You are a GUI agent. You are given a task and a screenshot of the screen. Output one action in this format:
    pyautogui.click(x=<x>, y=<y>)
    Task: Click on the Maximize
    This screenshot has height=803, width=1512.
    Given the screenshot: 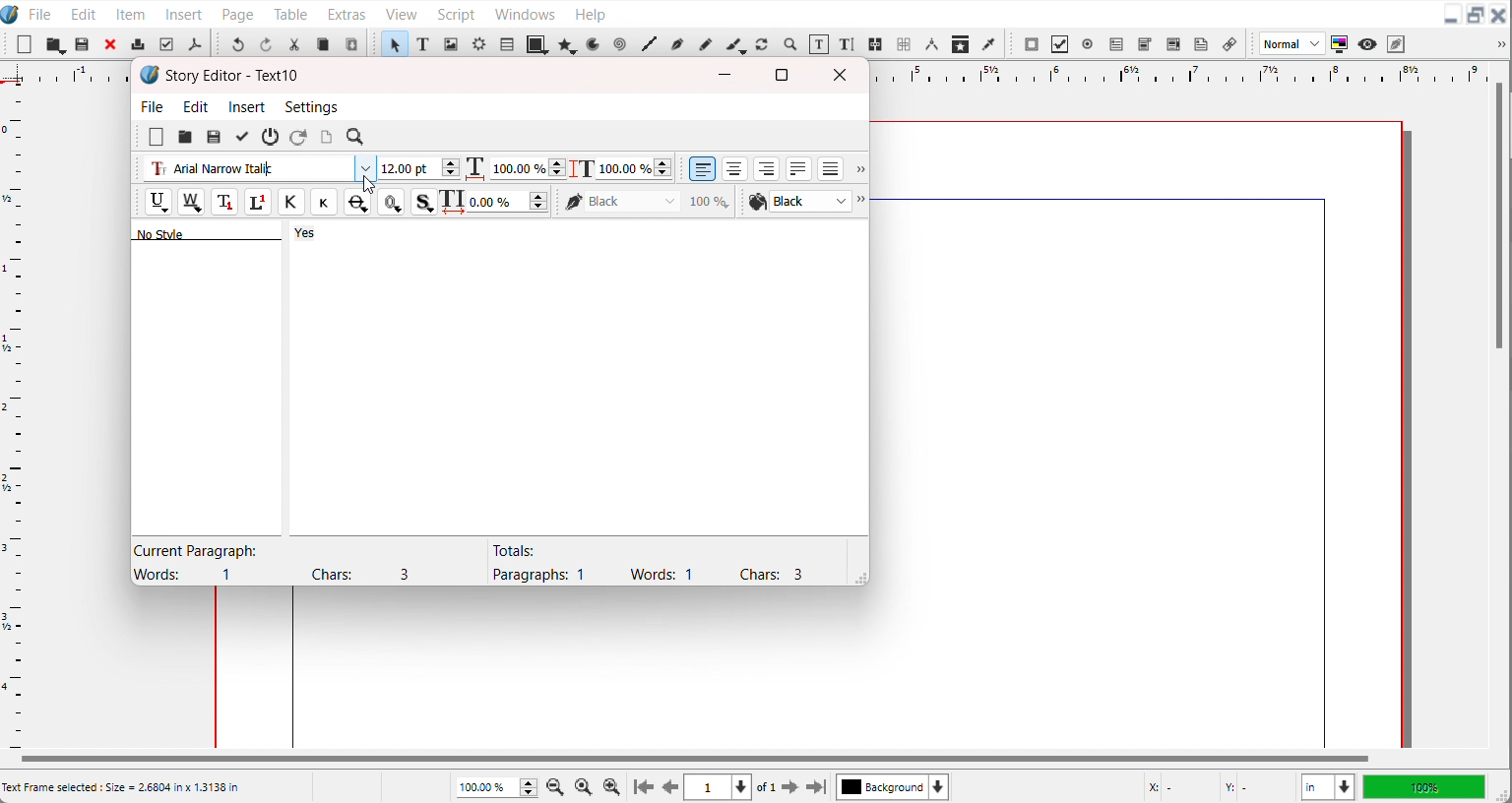 What is the action you would take?
    pyautogui.click(x=1476, y=16)
    